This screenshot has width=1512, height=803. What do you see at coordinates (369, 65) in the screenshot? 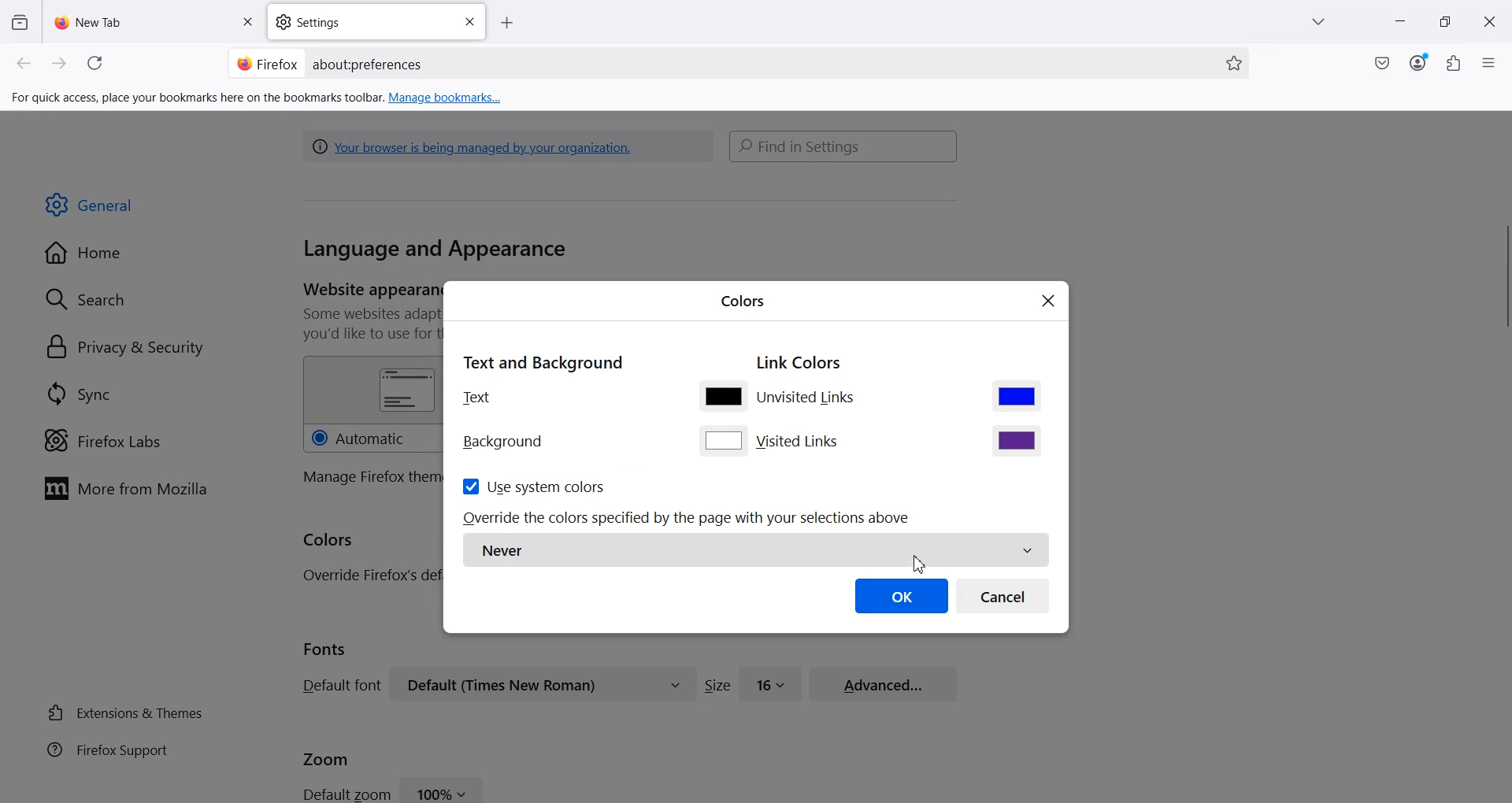
I see `about:prefernces` at bounding box center [369, 65].